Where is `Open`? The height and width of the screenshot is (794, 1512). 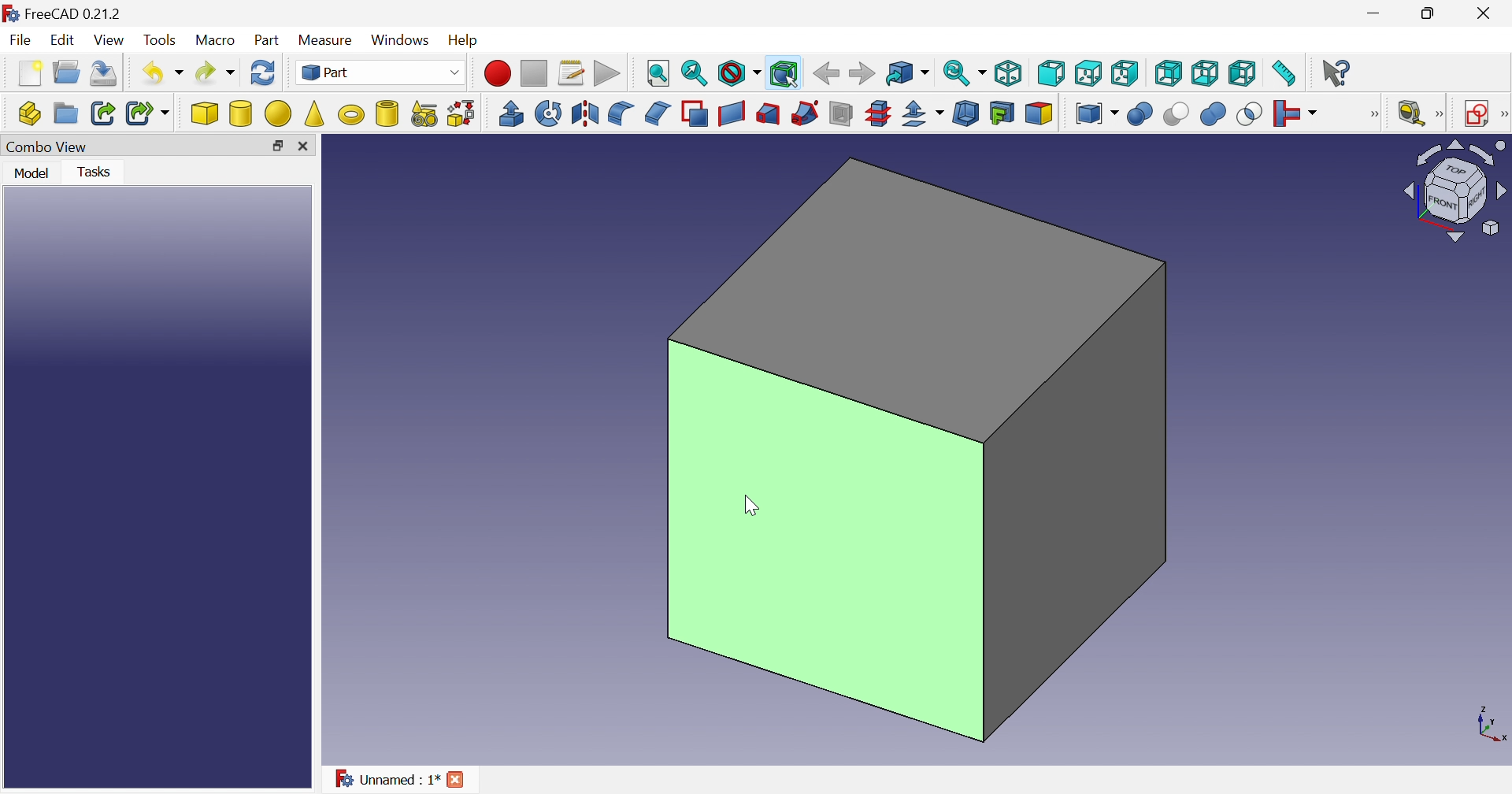 Open is located at coordinates (69, 71).